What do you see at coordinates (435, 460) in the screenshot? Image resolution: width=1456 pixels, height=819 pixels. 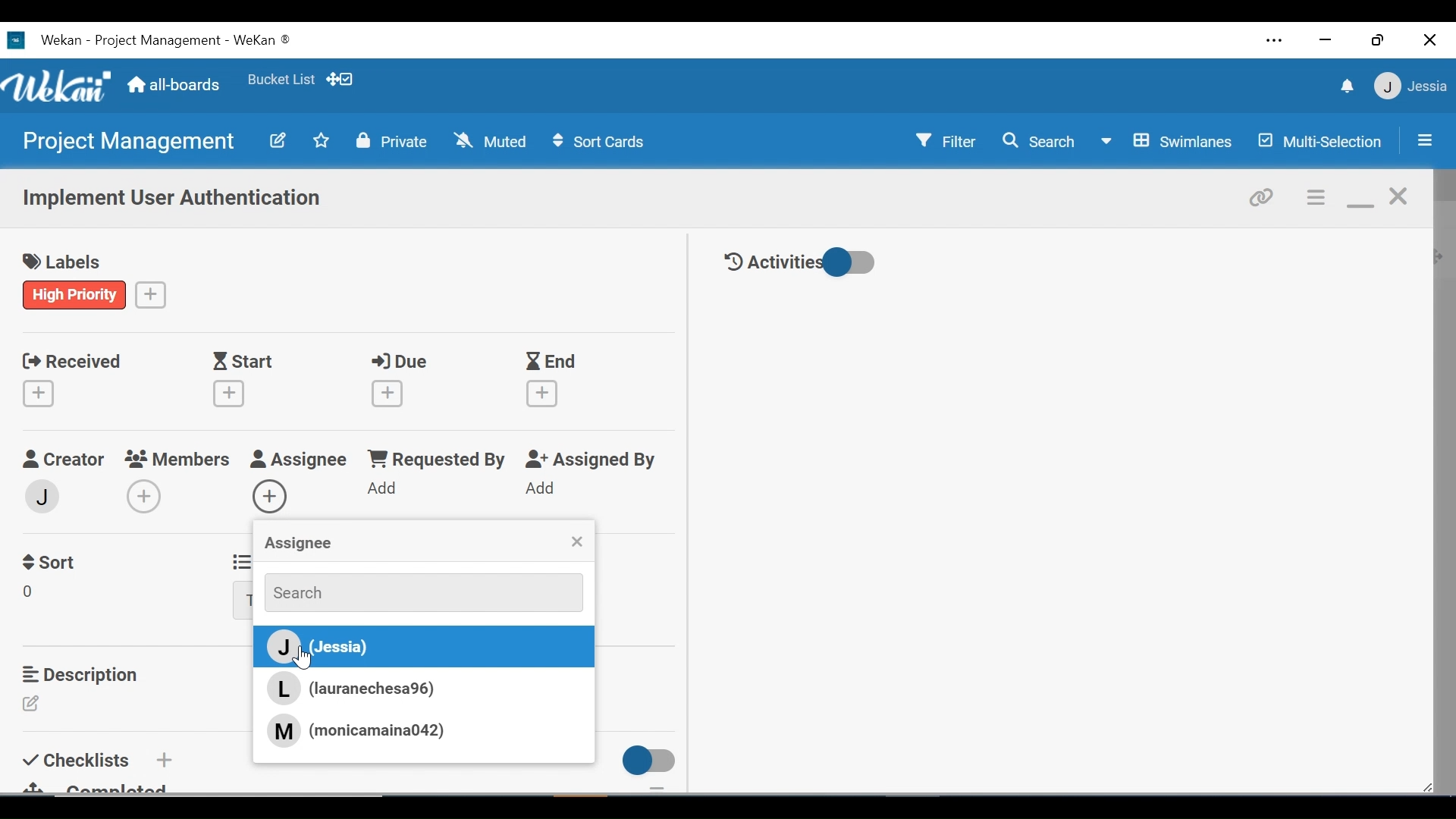 I see `Requested By` at bounding box center [435, 460].